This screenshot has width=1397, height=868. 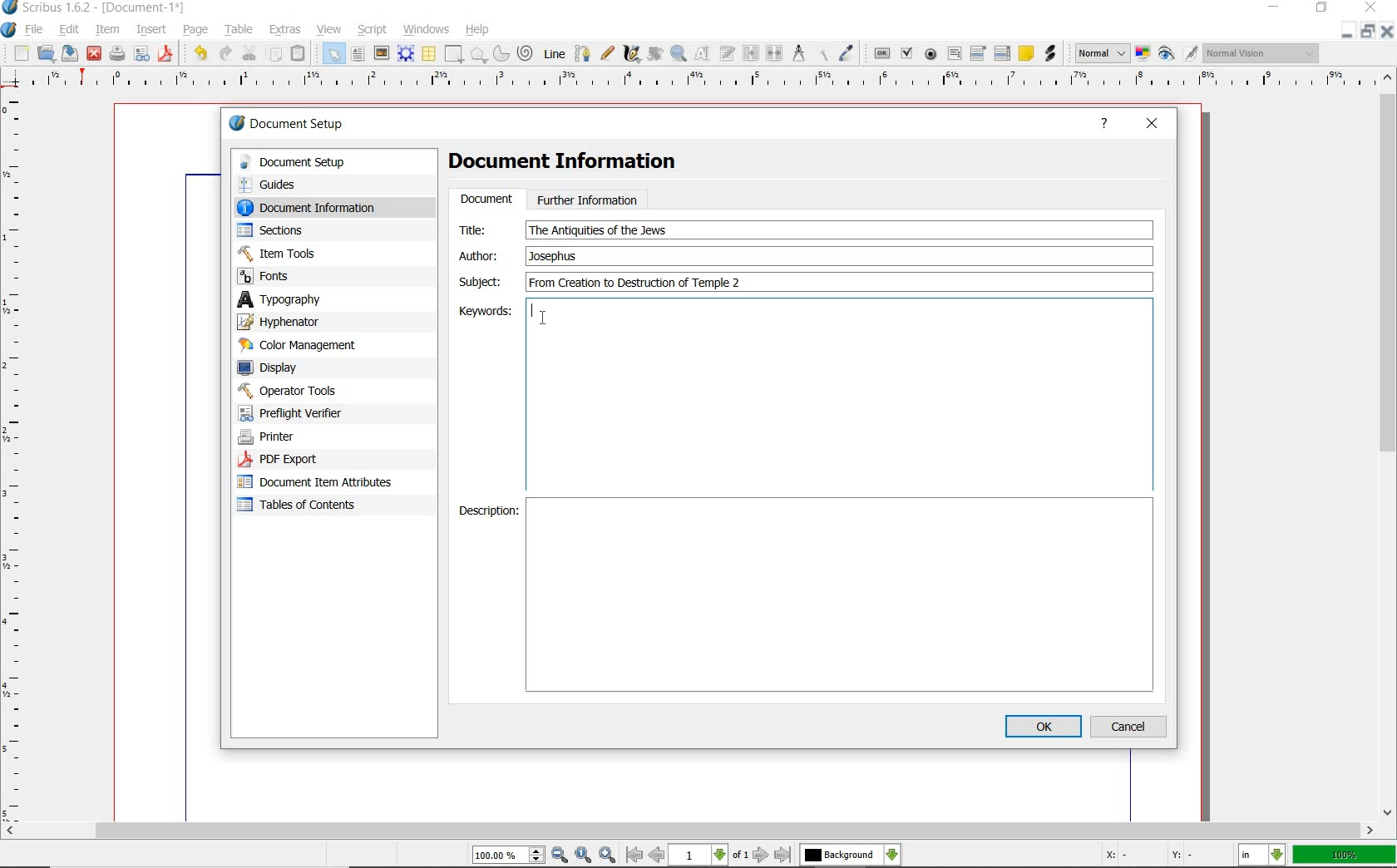 I want to click on author:, so click(x=481, y=255).